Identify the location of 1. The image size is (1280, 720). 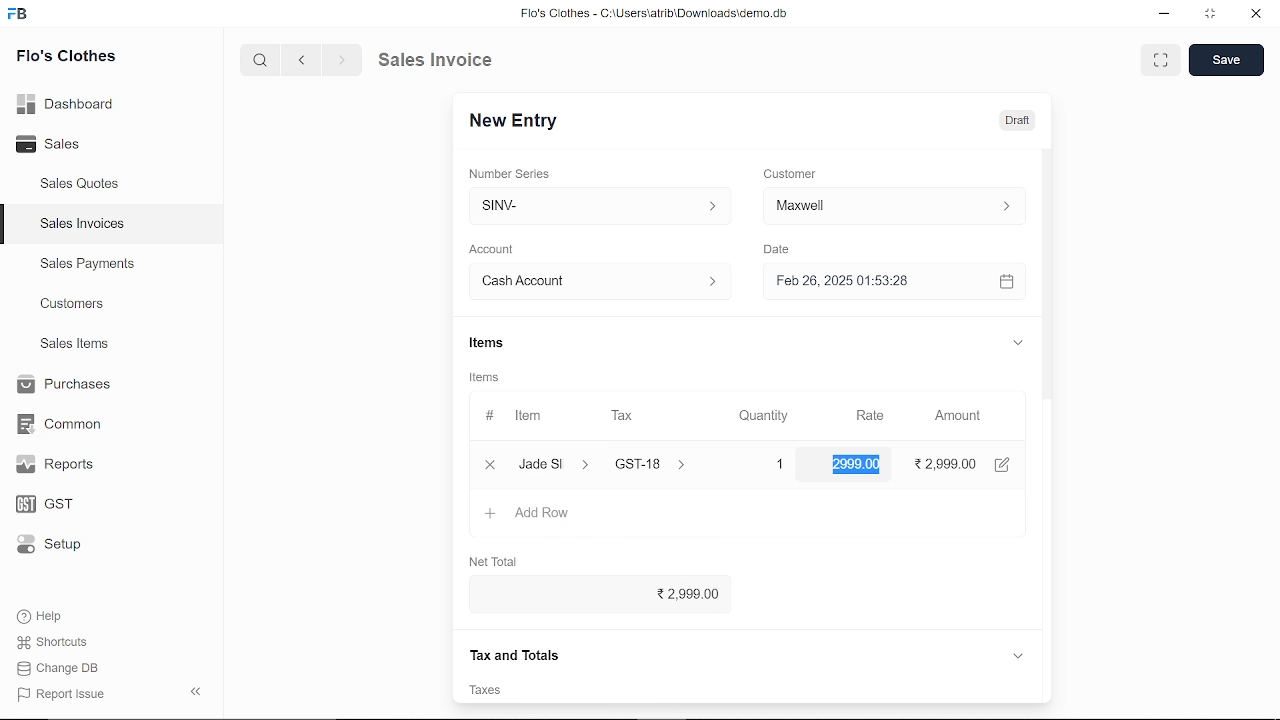
(762, 464).